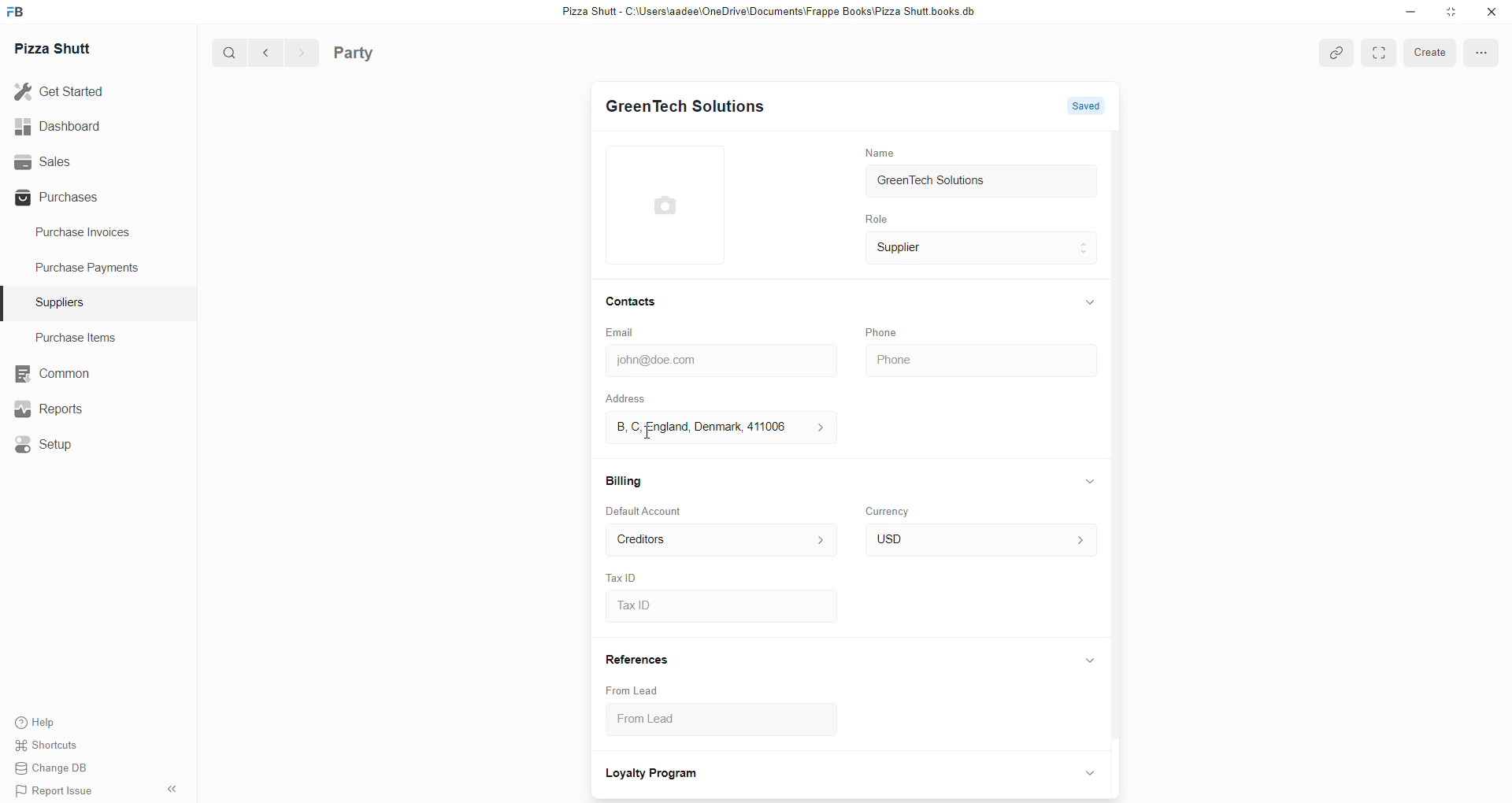 This screenshot has width=1512, height=803. What do you see at coordinates (718, 540) in the screenshot?
I see `Creditors` at bounding box center [718, 540].